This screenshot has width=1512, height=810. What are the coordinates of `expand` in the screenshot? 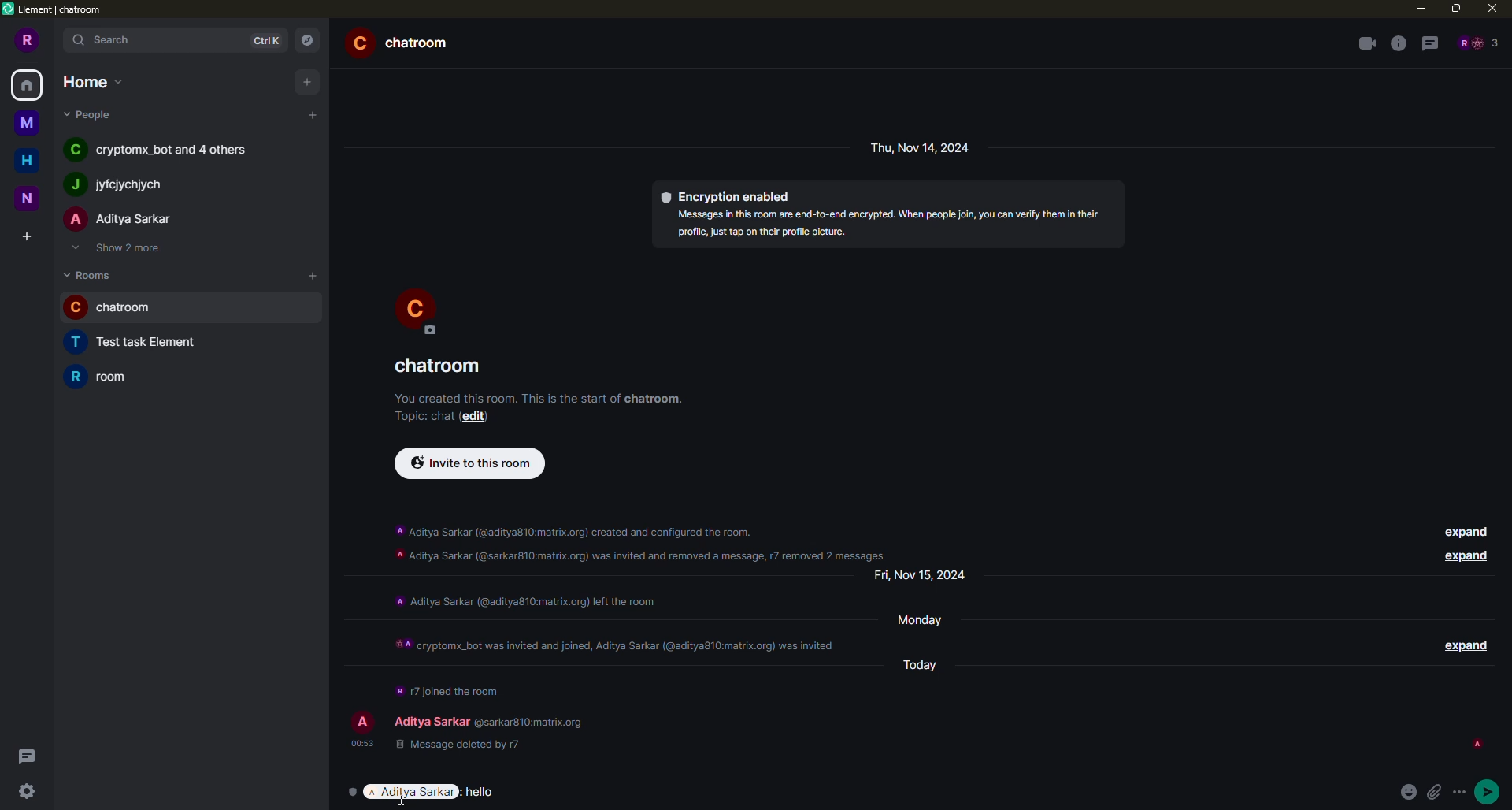 It's located at (1463, 530).